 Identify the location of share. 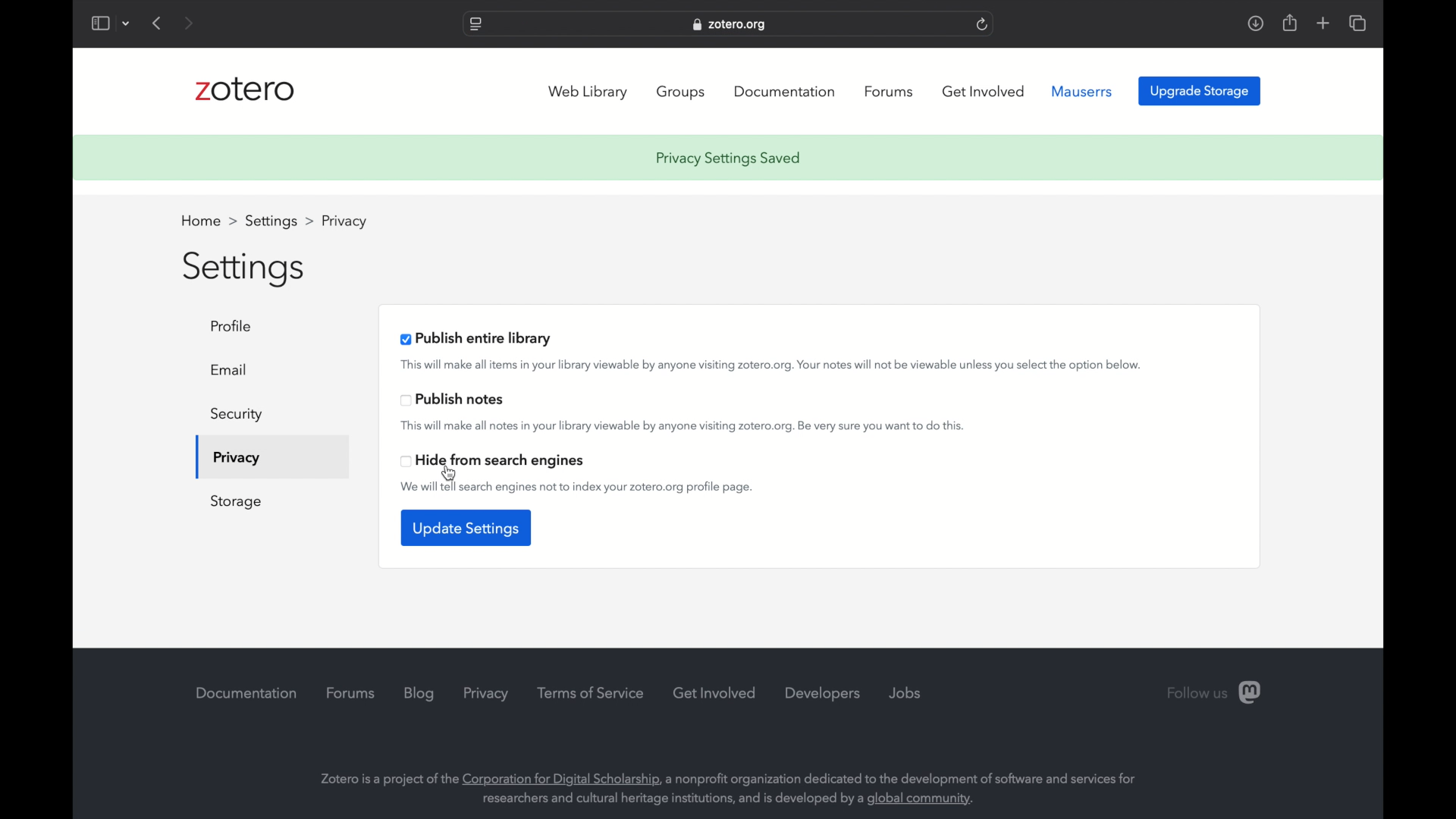
(1291, 22).